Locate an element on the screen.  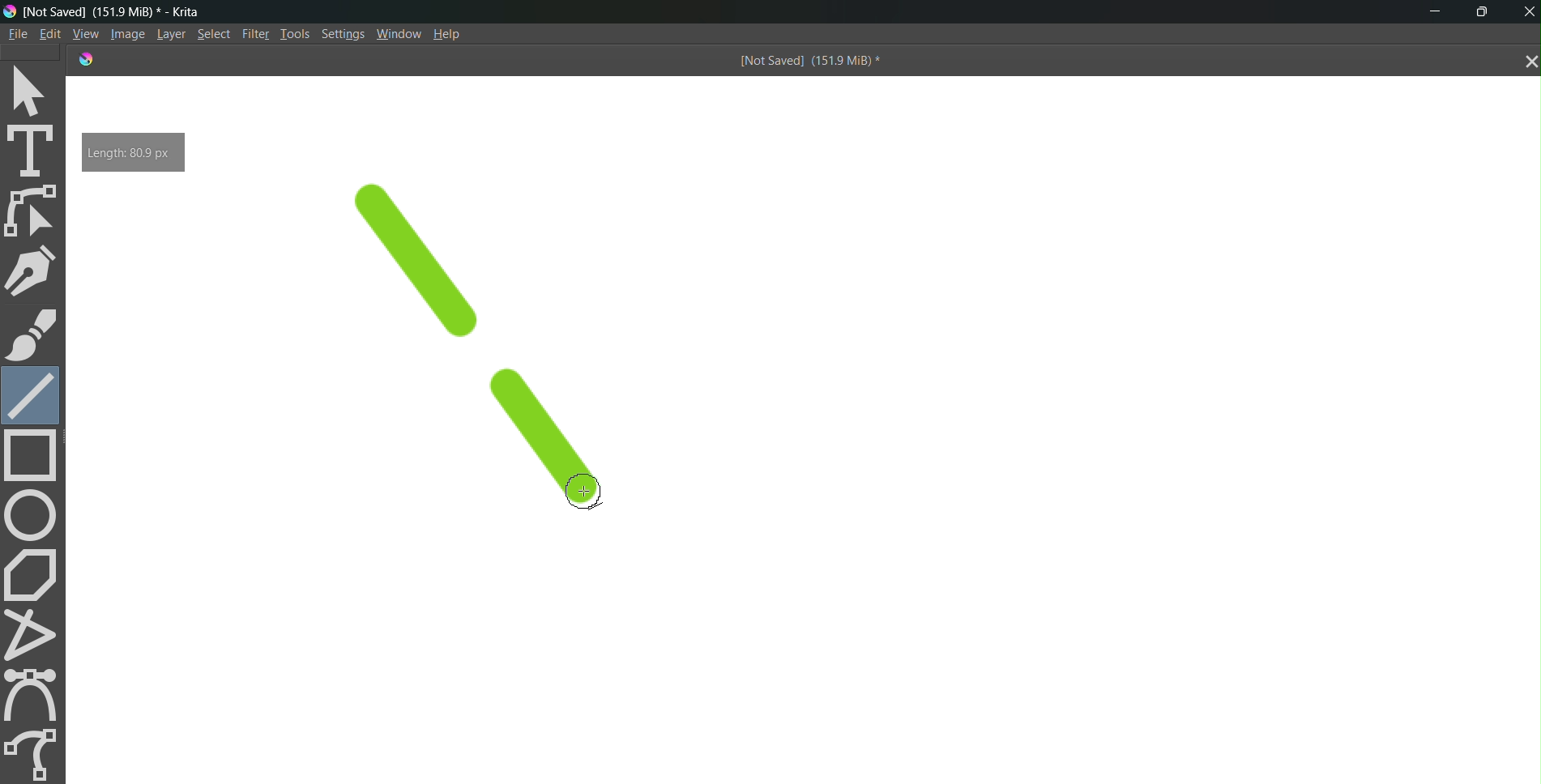
Tools is located at coordinates (293, 32).